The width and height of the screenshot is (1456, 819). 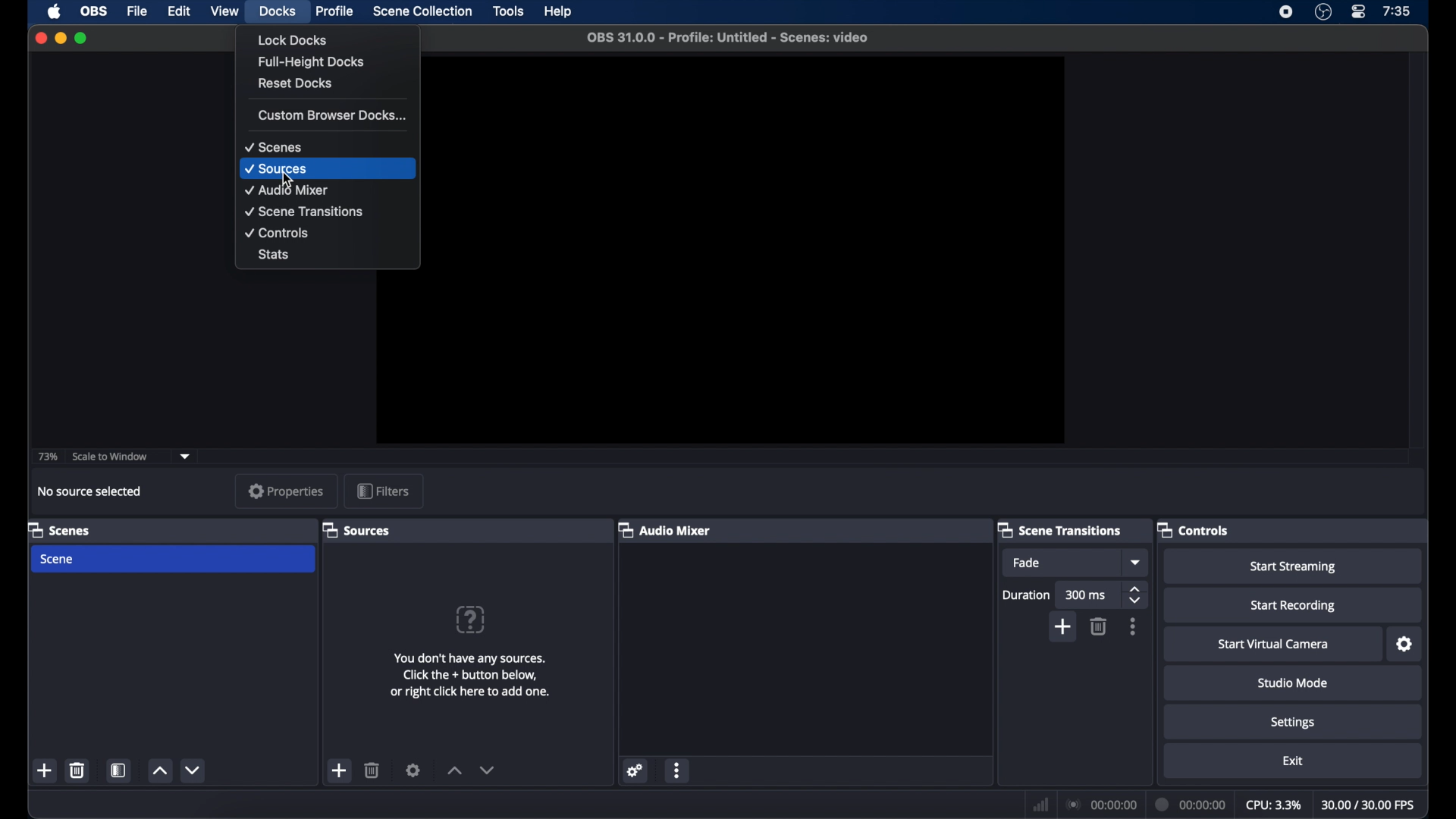 What do you see at coordinates (45, 770) in the screenshot?
I see `add` at bounding box center [45, 770].